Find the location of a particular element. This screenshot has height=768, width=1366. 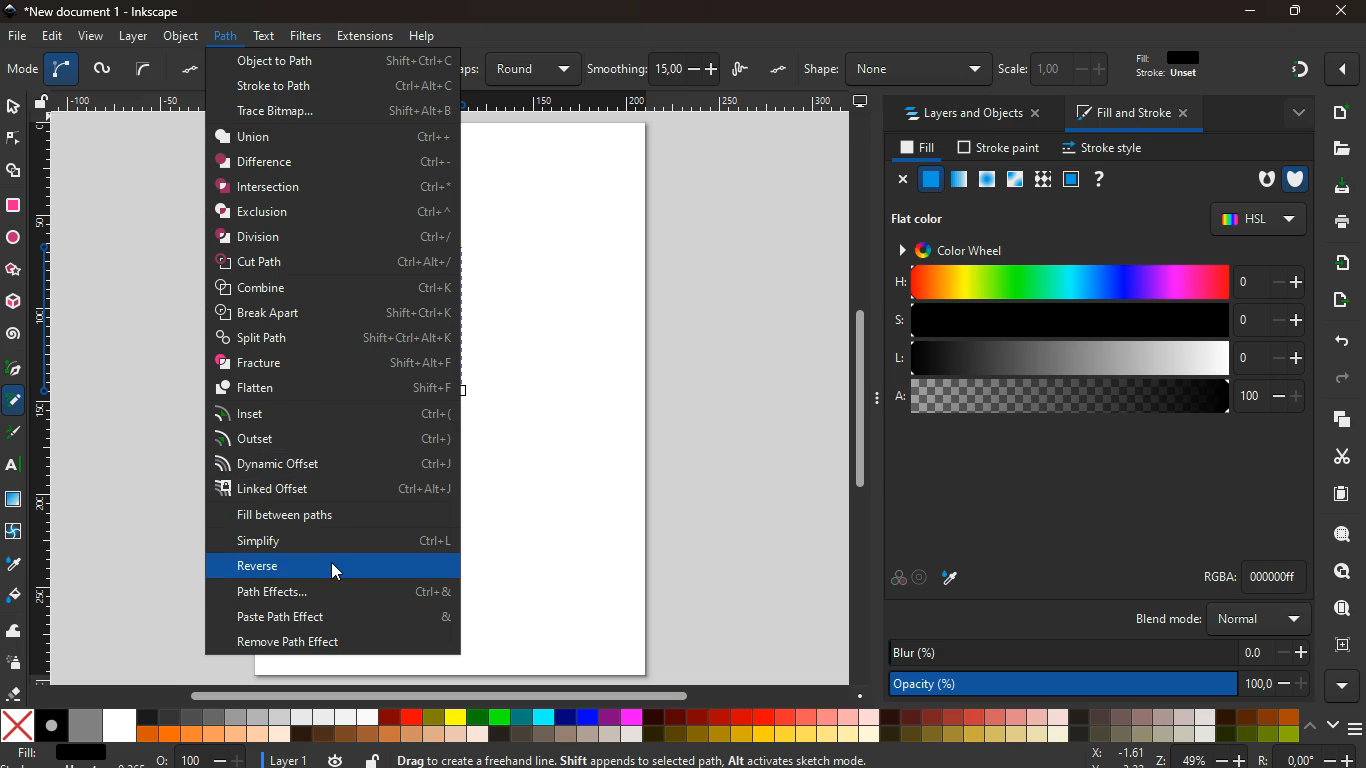

smoothing is located at coordinates (654, 69).